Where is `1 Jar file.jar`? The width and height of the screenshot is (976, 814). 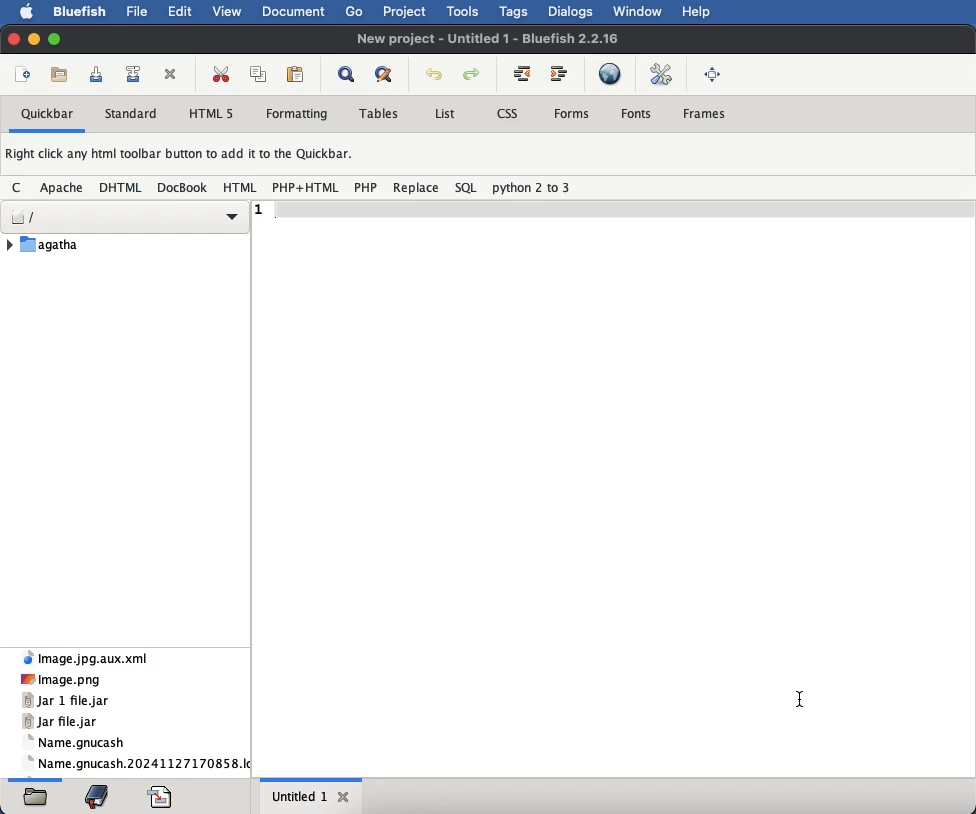
1 Jar file.jar is located at coordinates (59, 721).